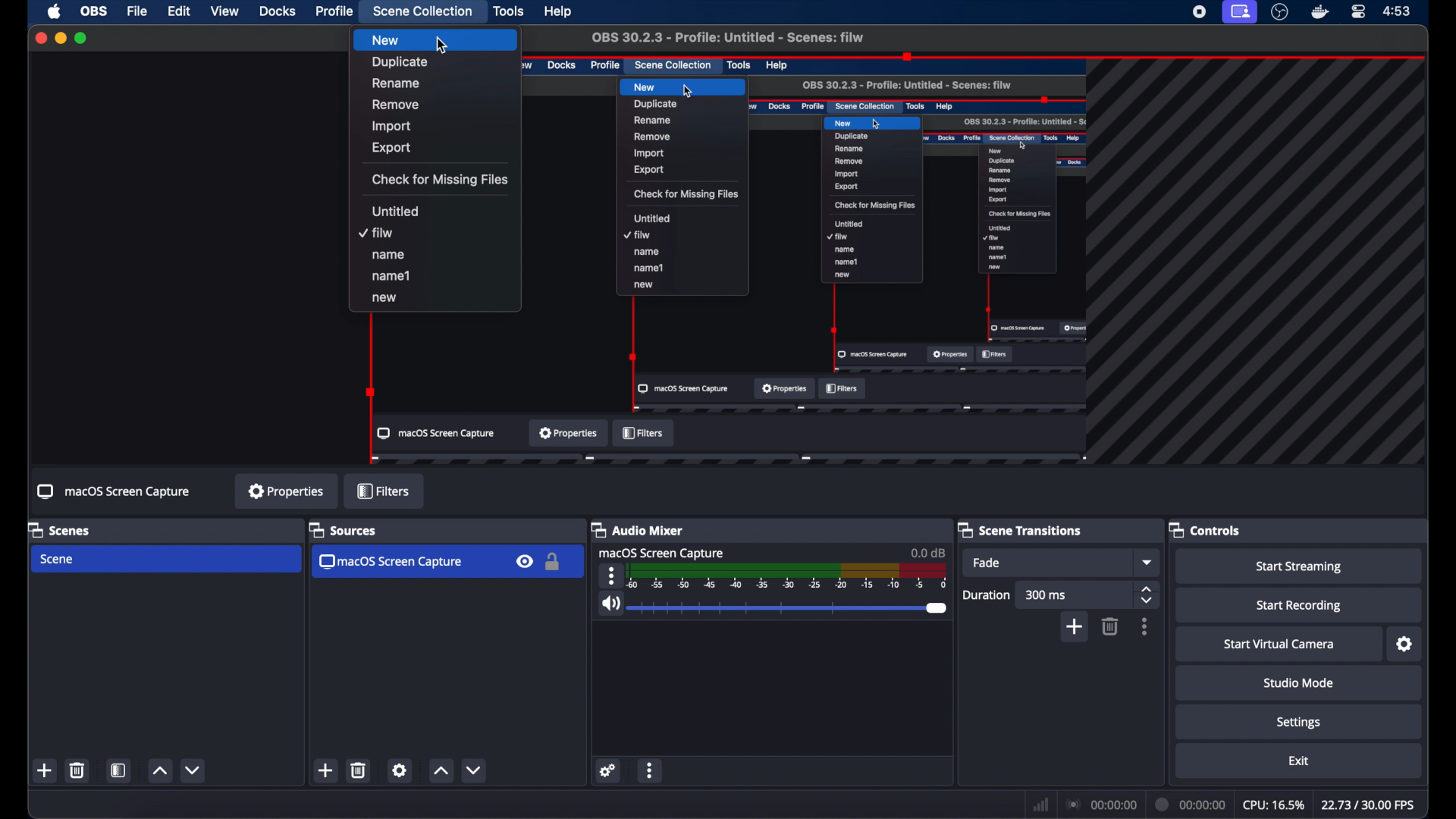 This screenshot has height=819, width=1456. Describe the element at coordinates (61, 38) in the screenshot. I see `minimize` at that location.